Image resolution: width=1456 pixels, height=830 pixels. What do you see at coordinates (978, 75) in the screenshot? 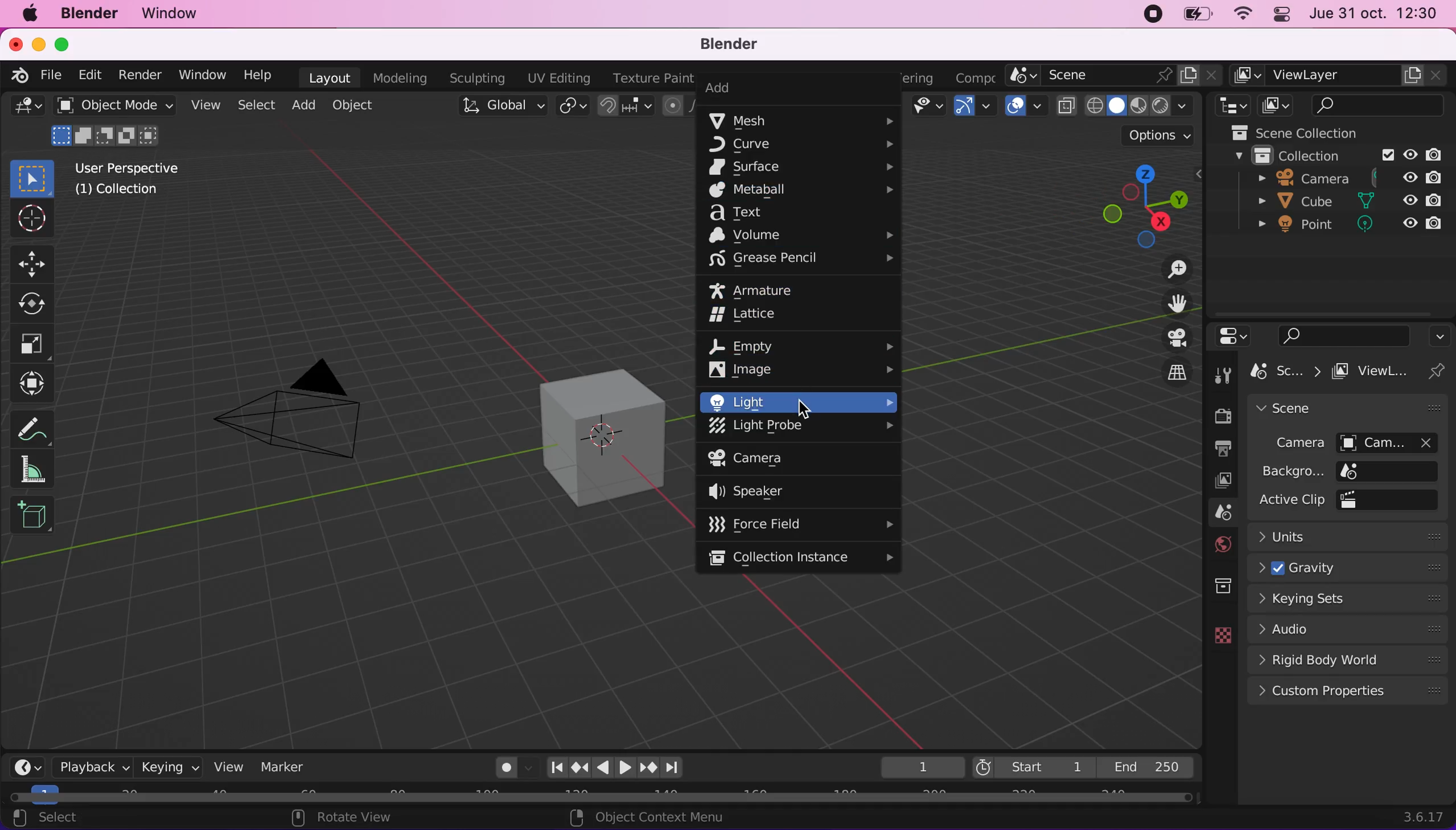
I see `active workspace` at bounding box center [978, 75].